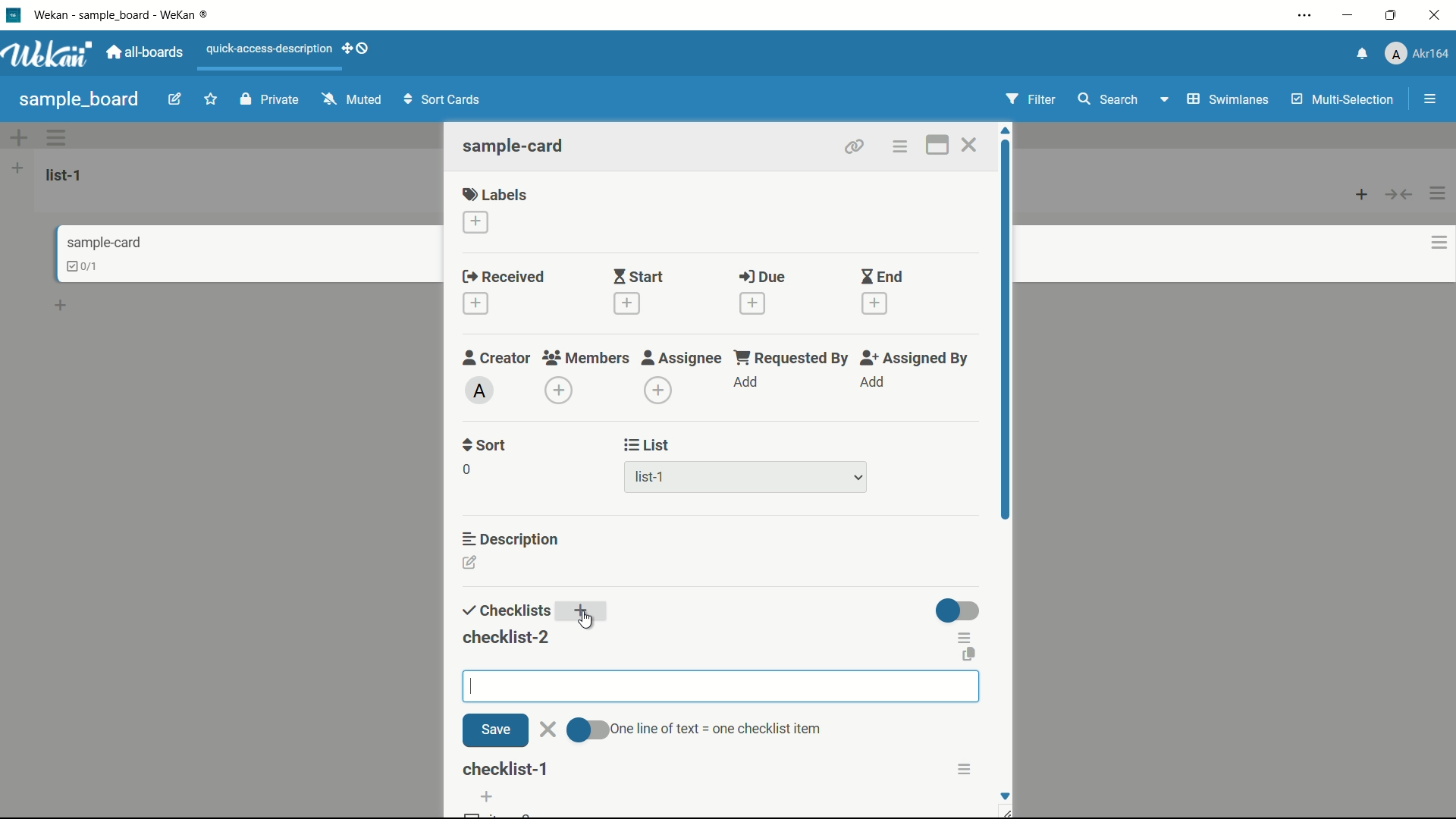 This screenshot has height=819, width=1456. Describe the element at coordinates (480, 391) in the screenshot. I see `admin` at that location.